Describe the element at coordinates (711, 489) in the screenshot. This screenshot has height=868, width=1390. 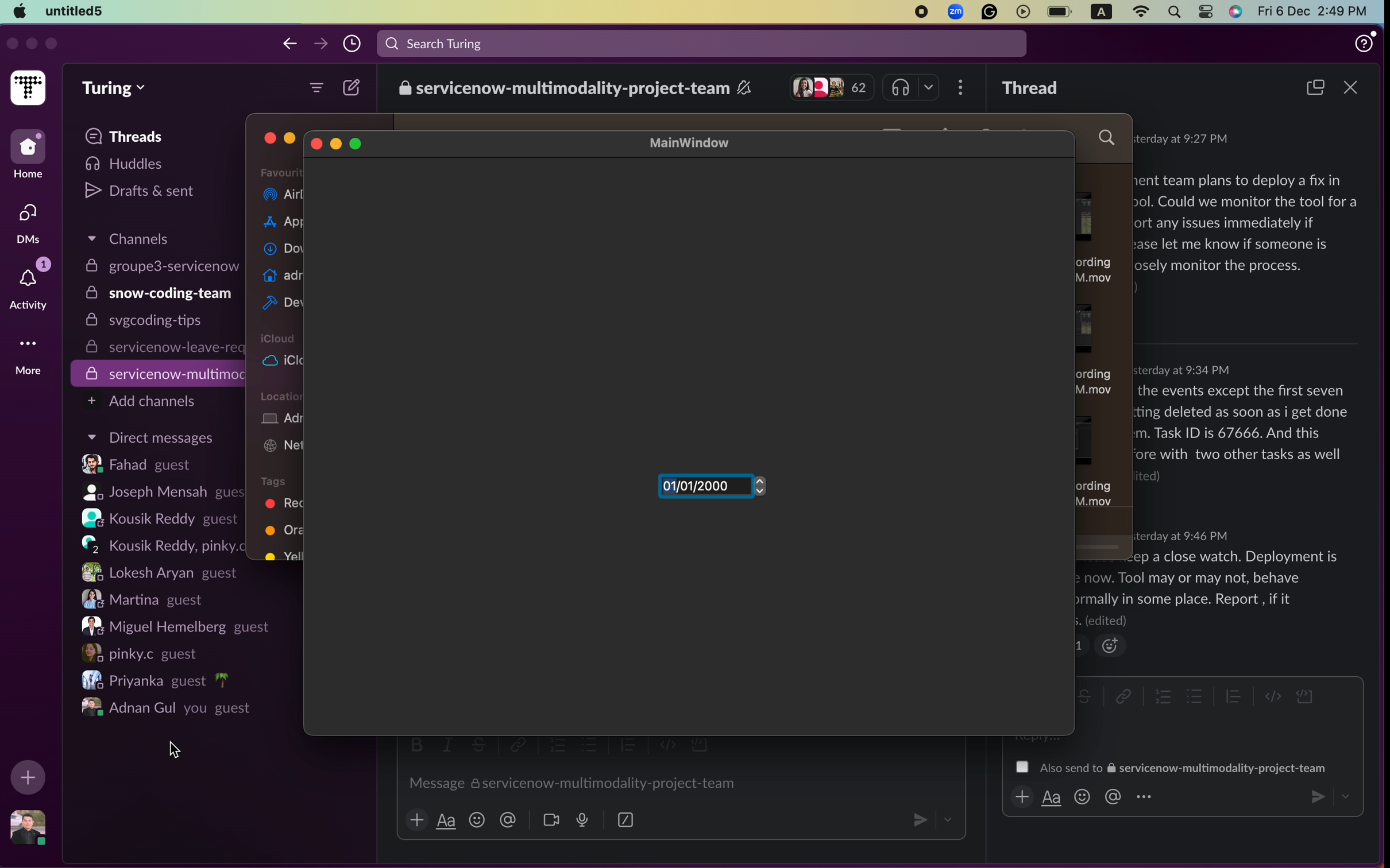
I see `date widget` at that location.